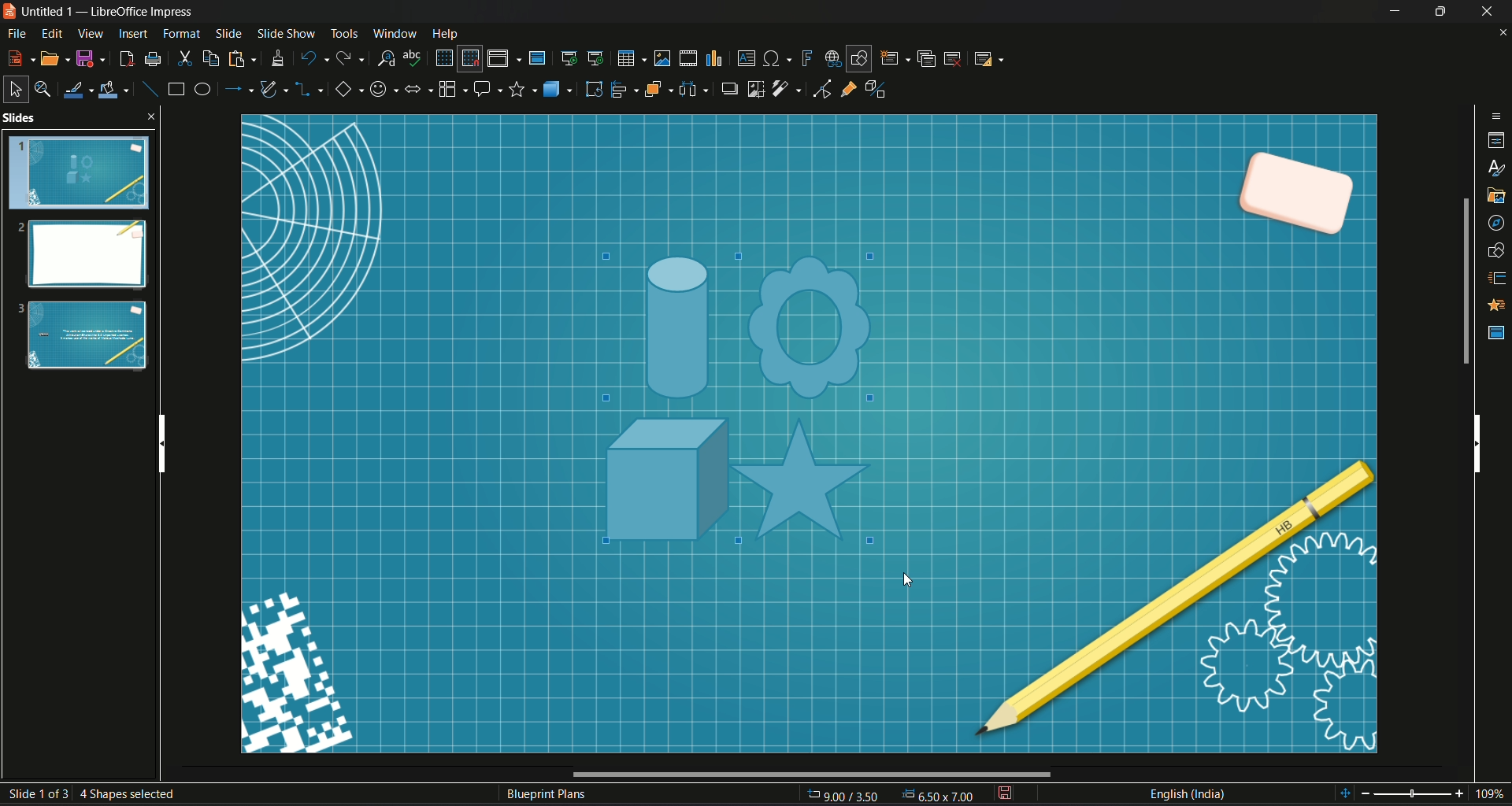 The width and height of the screenshot is (1512, 806). Describe the element at coordinates (309, 91) in the screenshot. I see `connectors` at that location.